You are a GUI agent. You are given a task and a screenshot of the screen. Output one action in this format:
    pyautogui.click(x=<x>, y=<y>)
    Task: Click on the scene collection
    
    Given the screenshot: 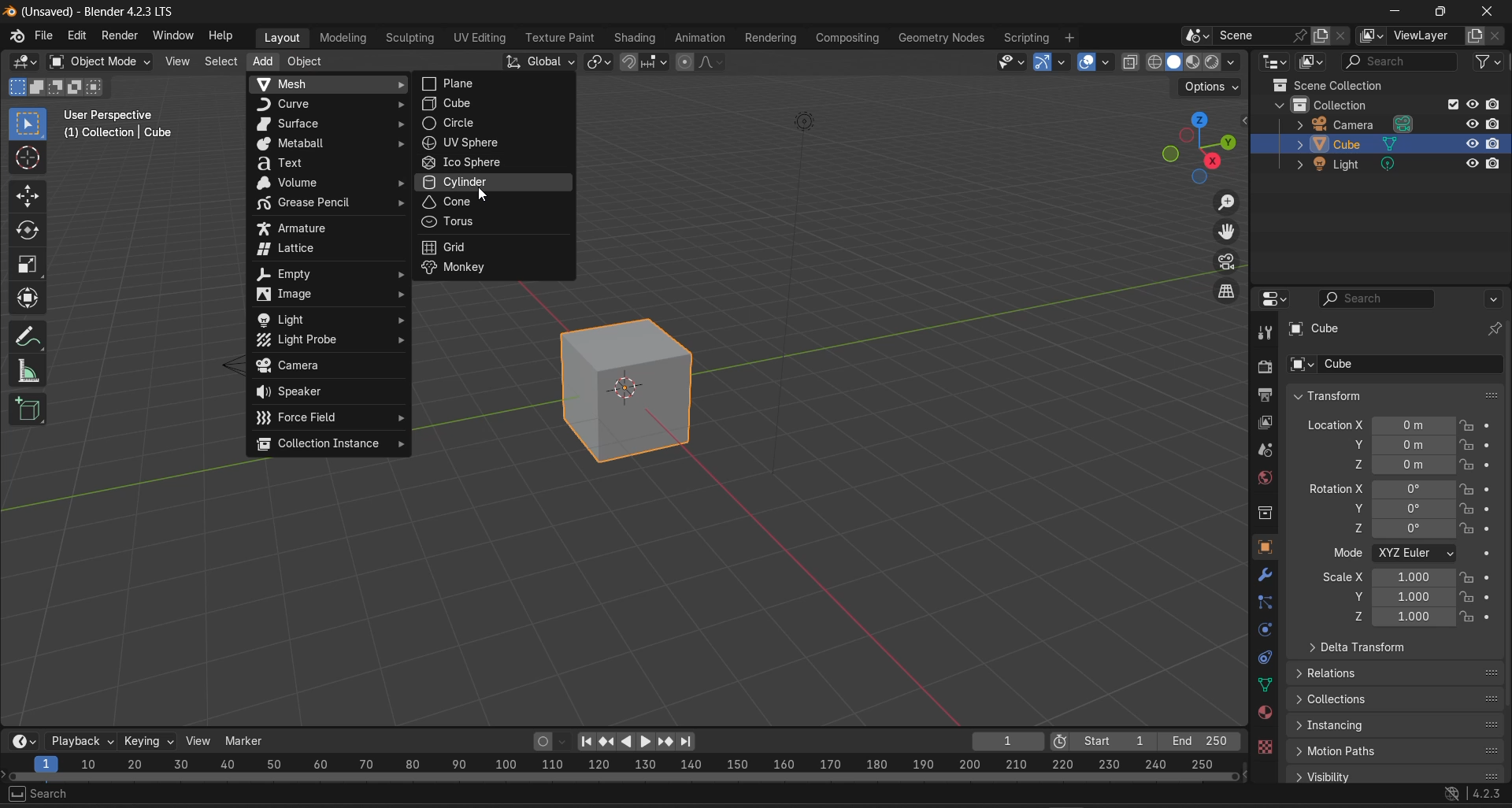 What is the action you would take?
    pyautogui.click(x=1329, y=84)
    